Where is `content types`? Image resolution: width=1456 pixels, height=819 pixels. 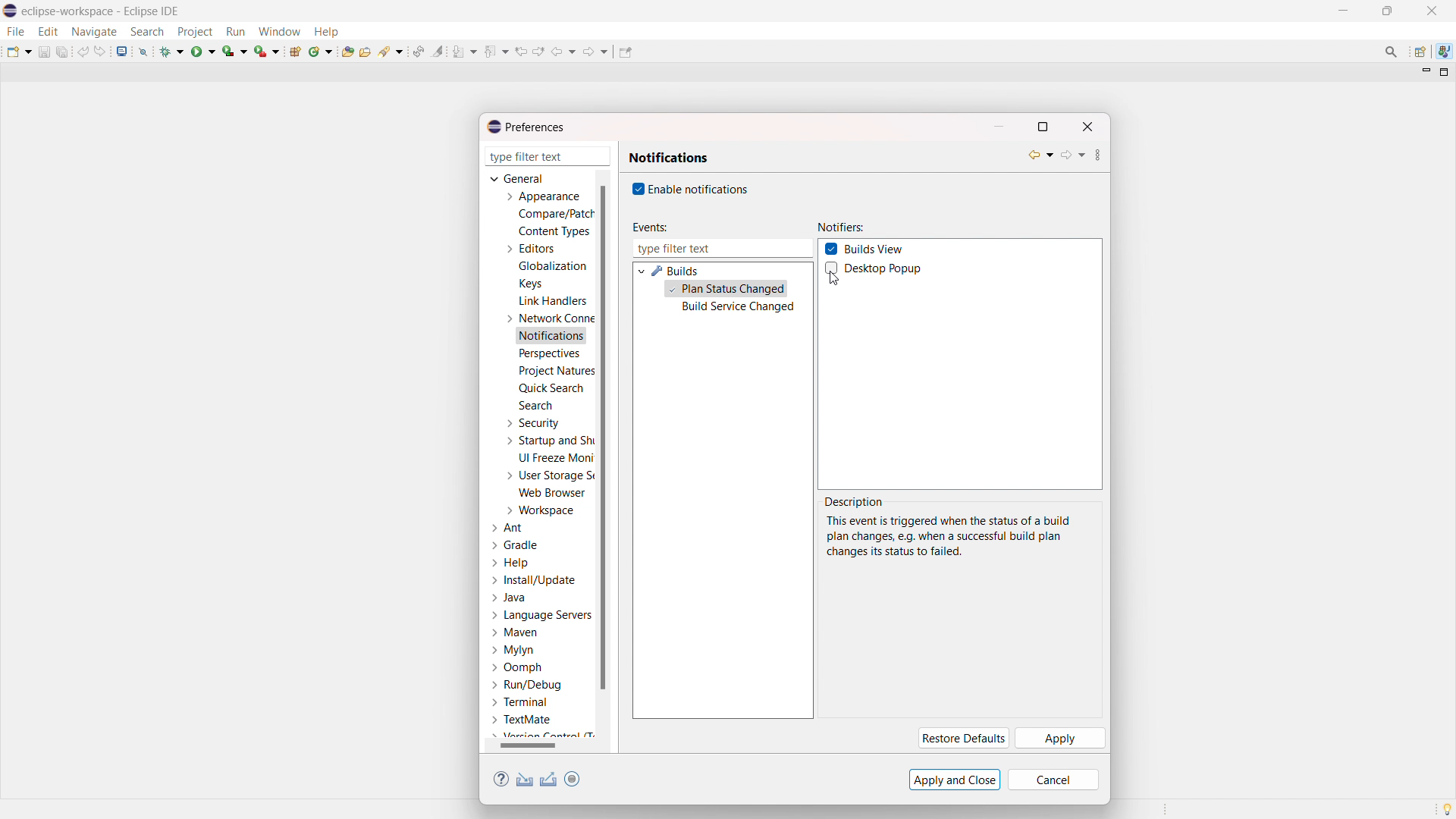
content types is located at coordinates (555, 231).